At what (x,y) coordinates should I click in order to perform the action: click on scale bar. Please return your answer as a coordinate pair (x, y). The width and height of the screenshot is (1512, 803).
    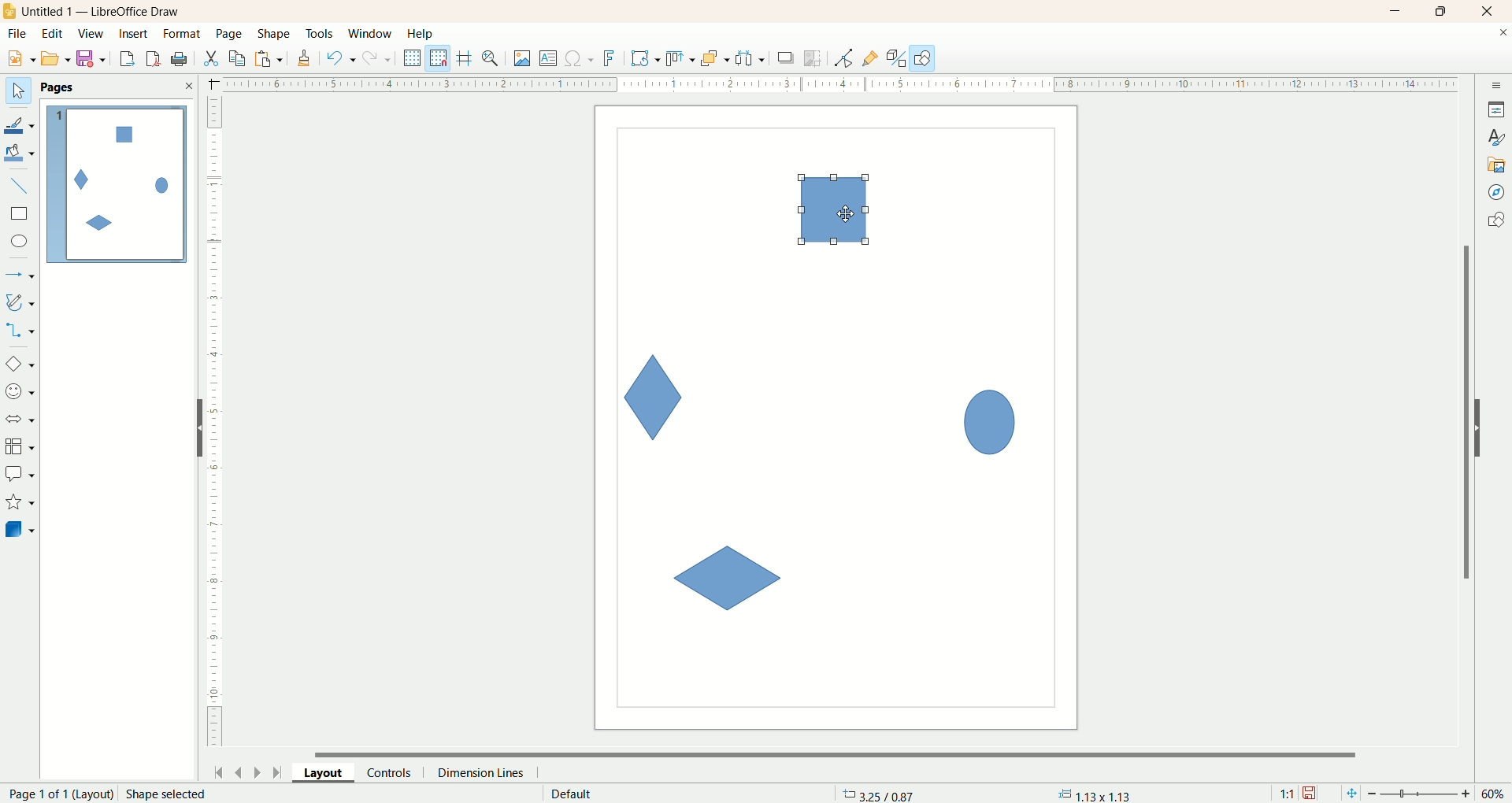
    Looking at the image, I should click on (214, 425).